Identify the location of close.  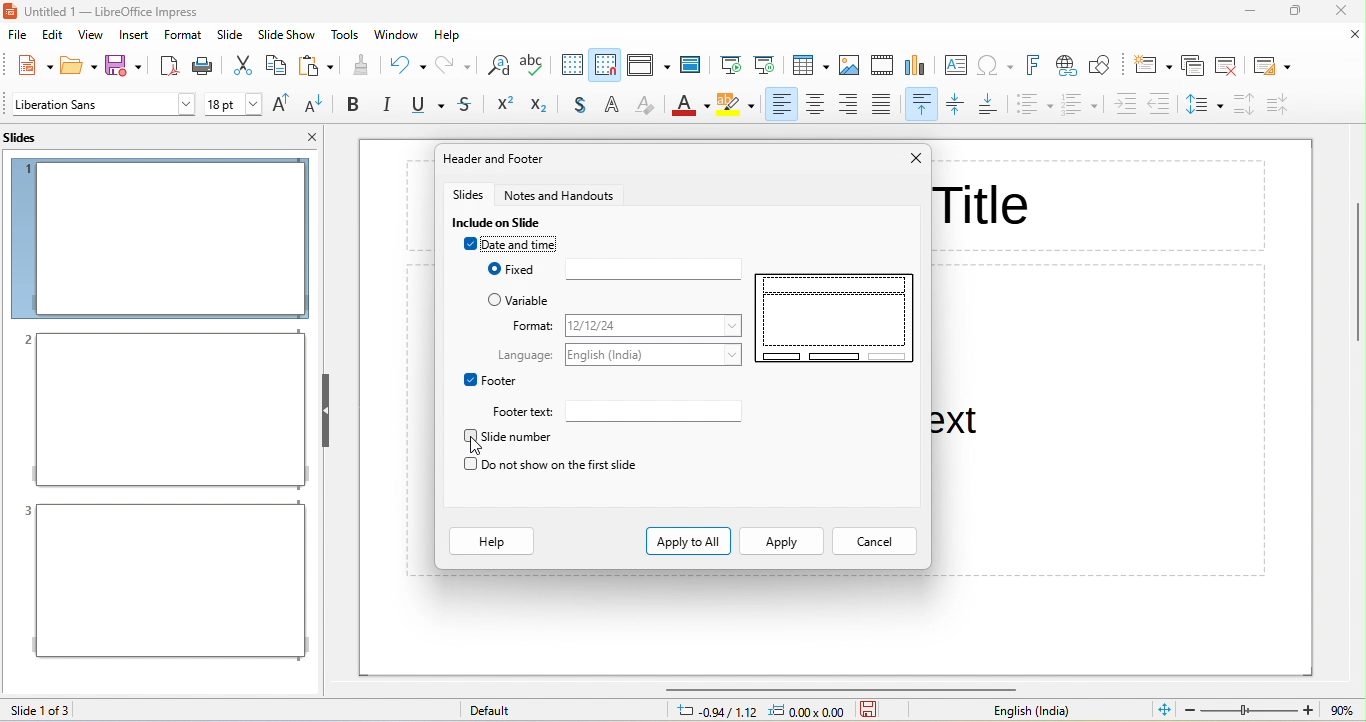
(916, 158).